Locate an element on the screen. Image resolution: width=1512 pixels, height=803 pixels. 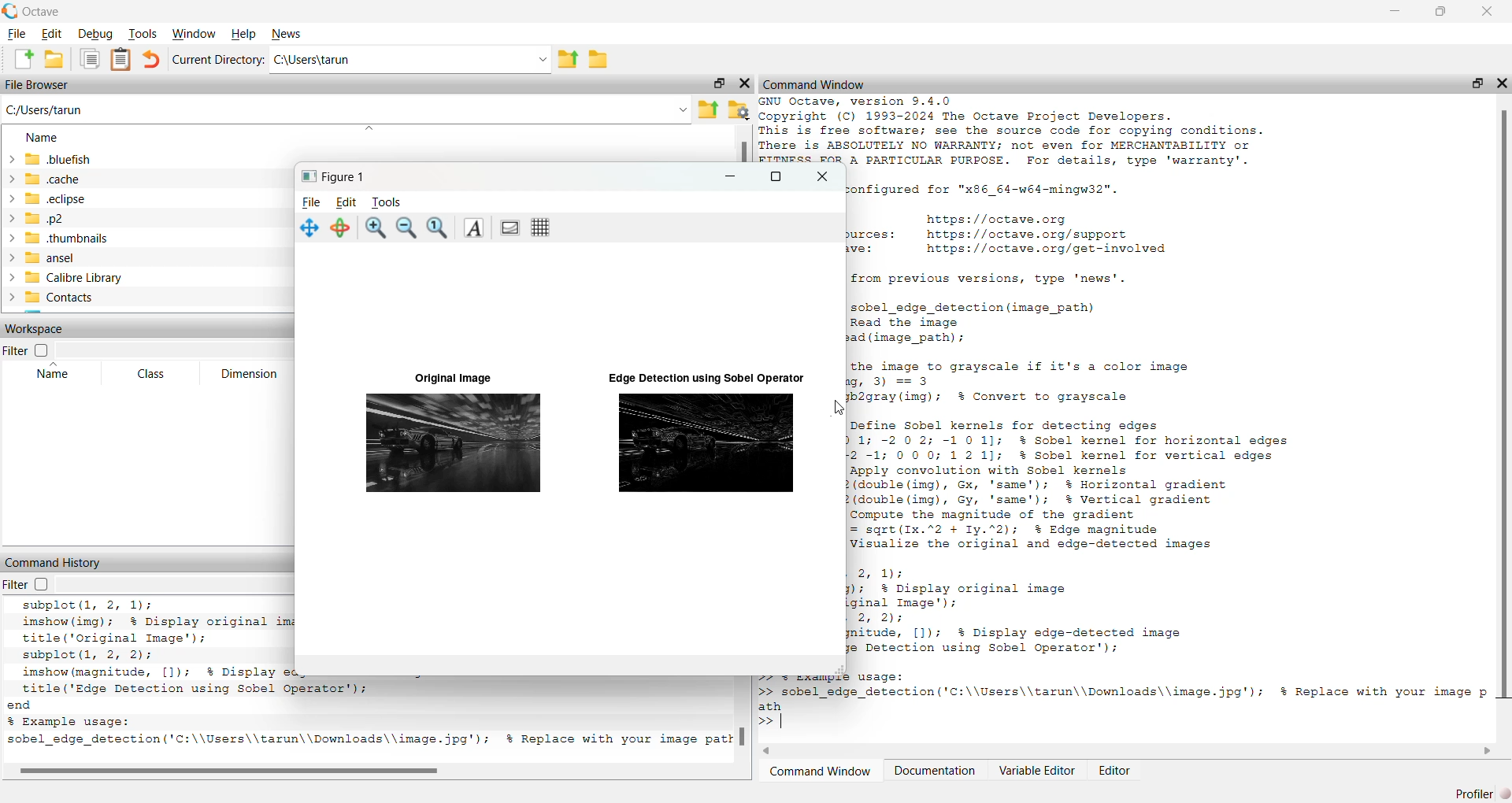
cursor is located at coordinates (837, 409).